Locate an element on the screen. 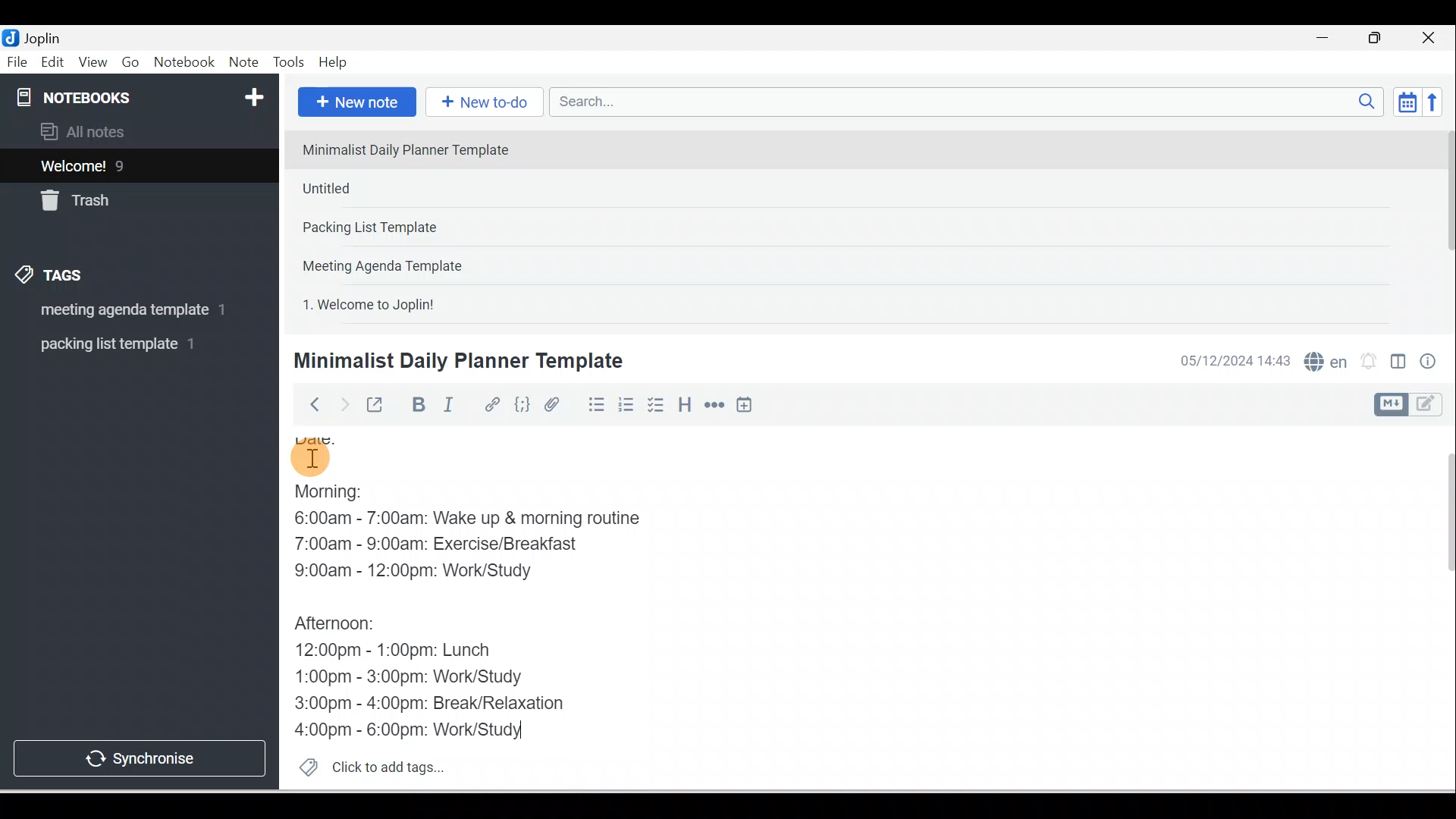  New note is located at coordinates (354, 103).